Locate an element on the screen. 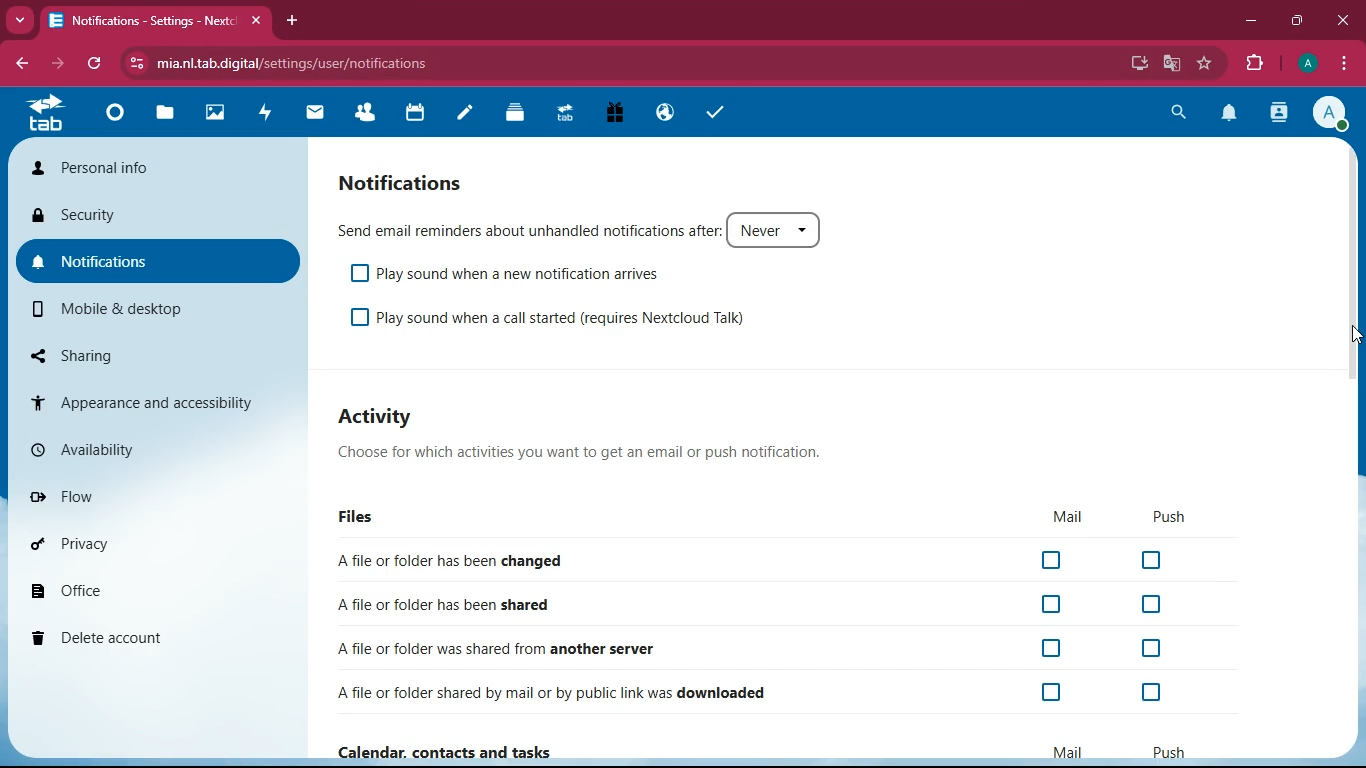 The height and width of the screenshot is (768, 1366). activity is located at coordinates (268, 115).